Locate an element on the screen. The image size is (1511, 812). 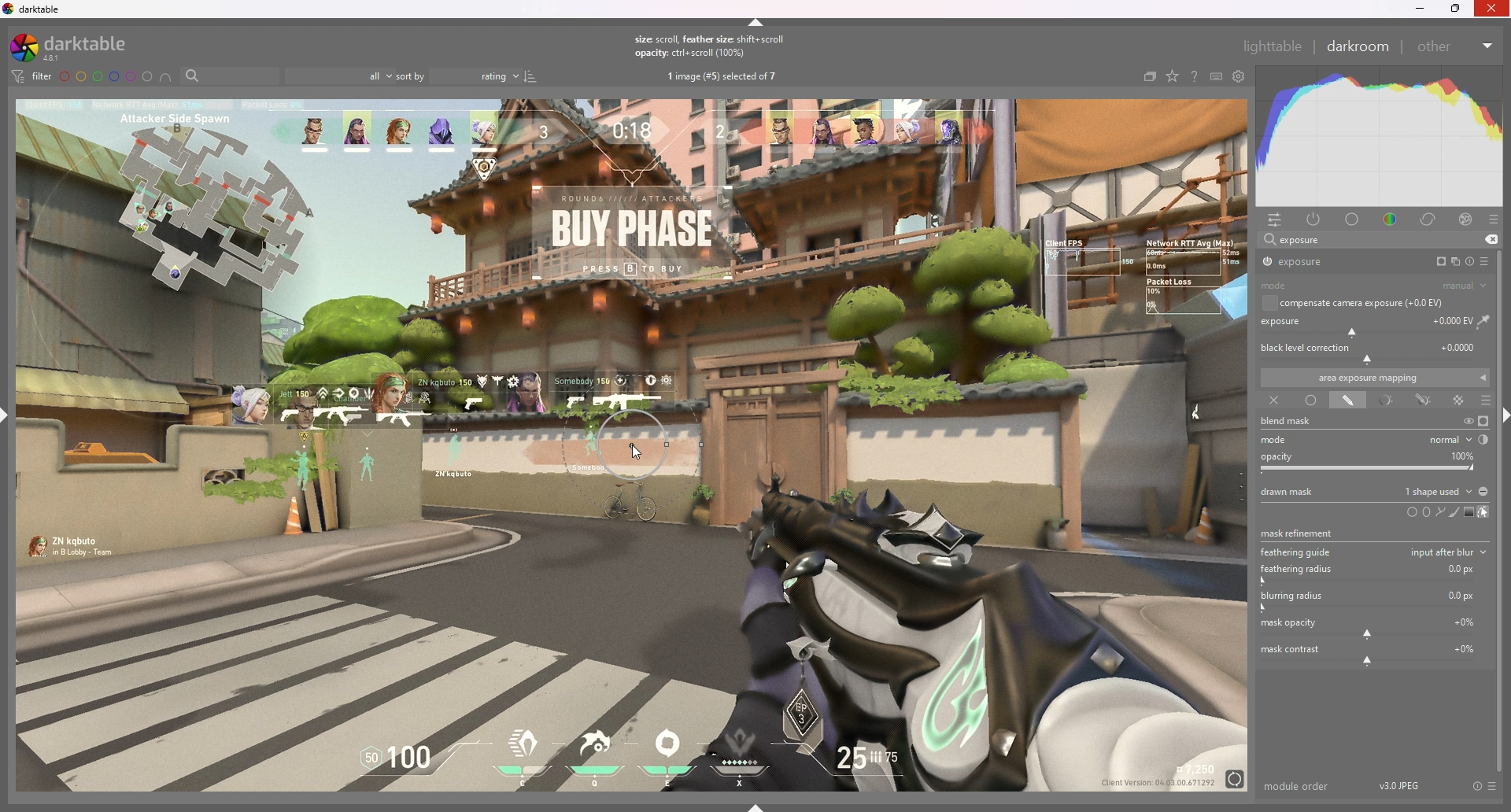
blurring radius is located at coordinates (1372, 601).